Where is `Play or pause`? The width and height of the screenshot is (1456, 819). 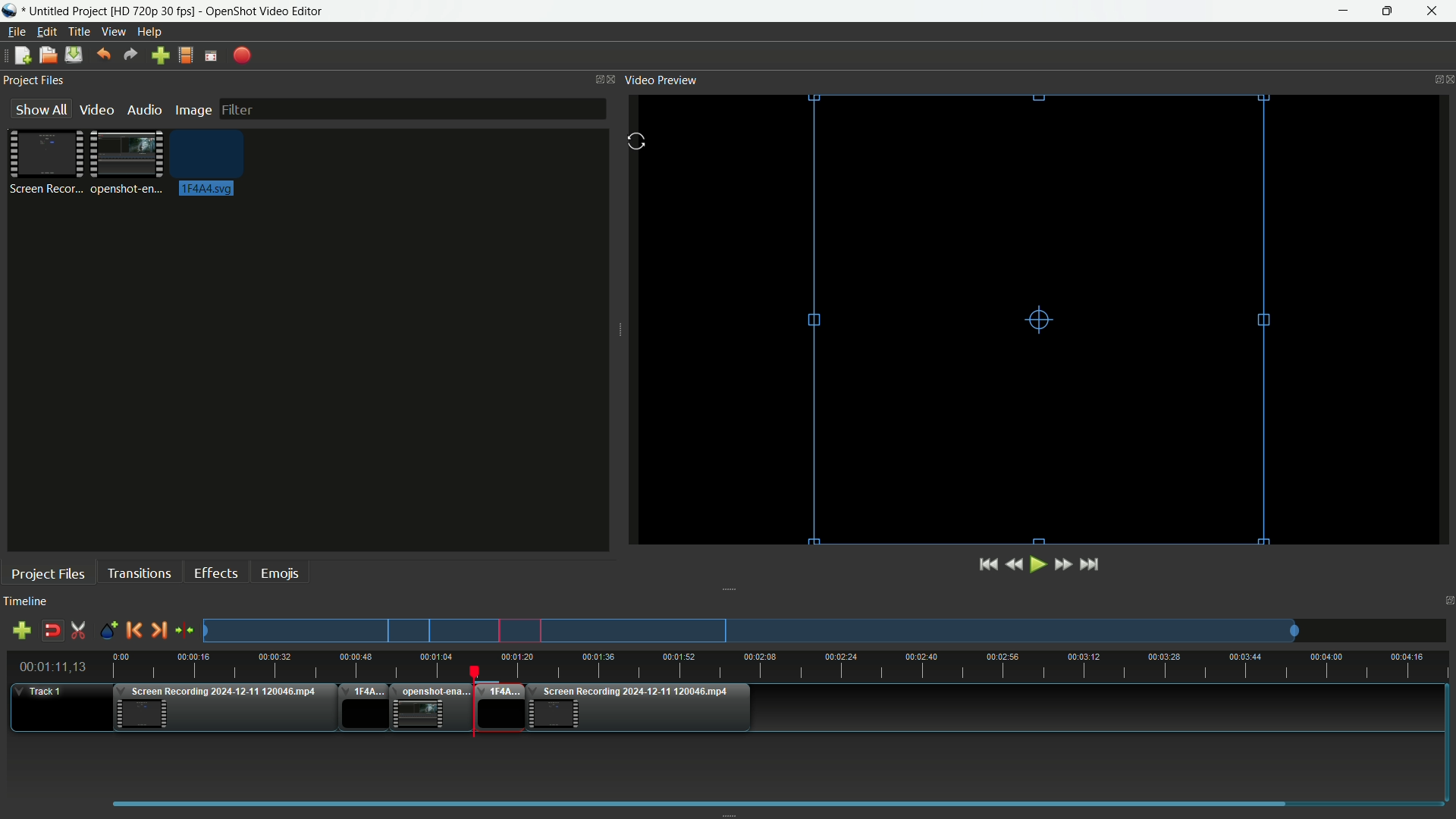
Play or pause is located at coordinates (1040, 565).